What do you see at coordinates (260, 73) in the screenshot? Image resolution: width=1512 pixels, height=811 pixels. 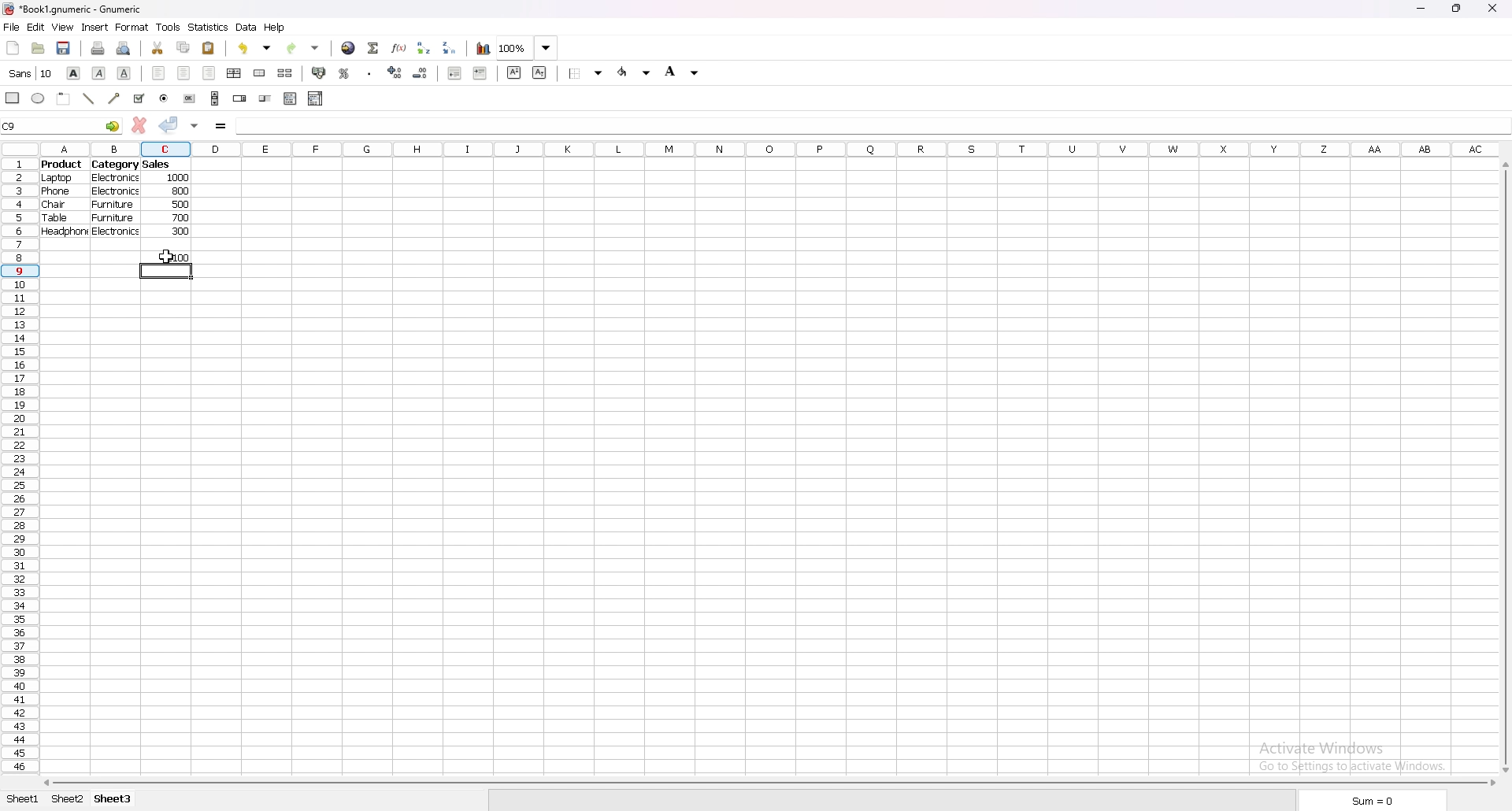 I see `merge cell` at bounding box center [260, 73].